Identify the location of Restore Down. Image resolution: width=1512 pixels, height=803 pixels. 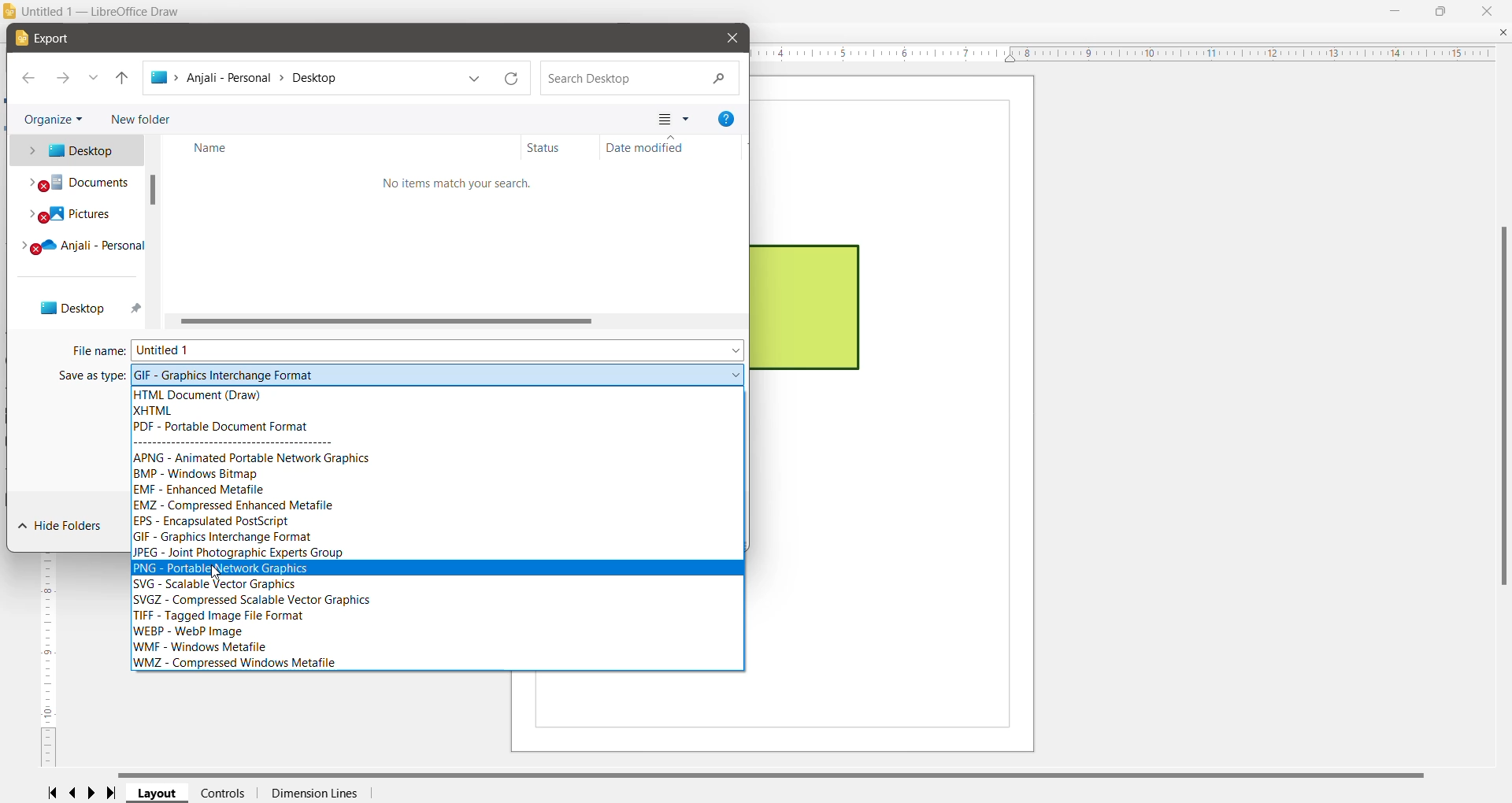
(1440, 9).